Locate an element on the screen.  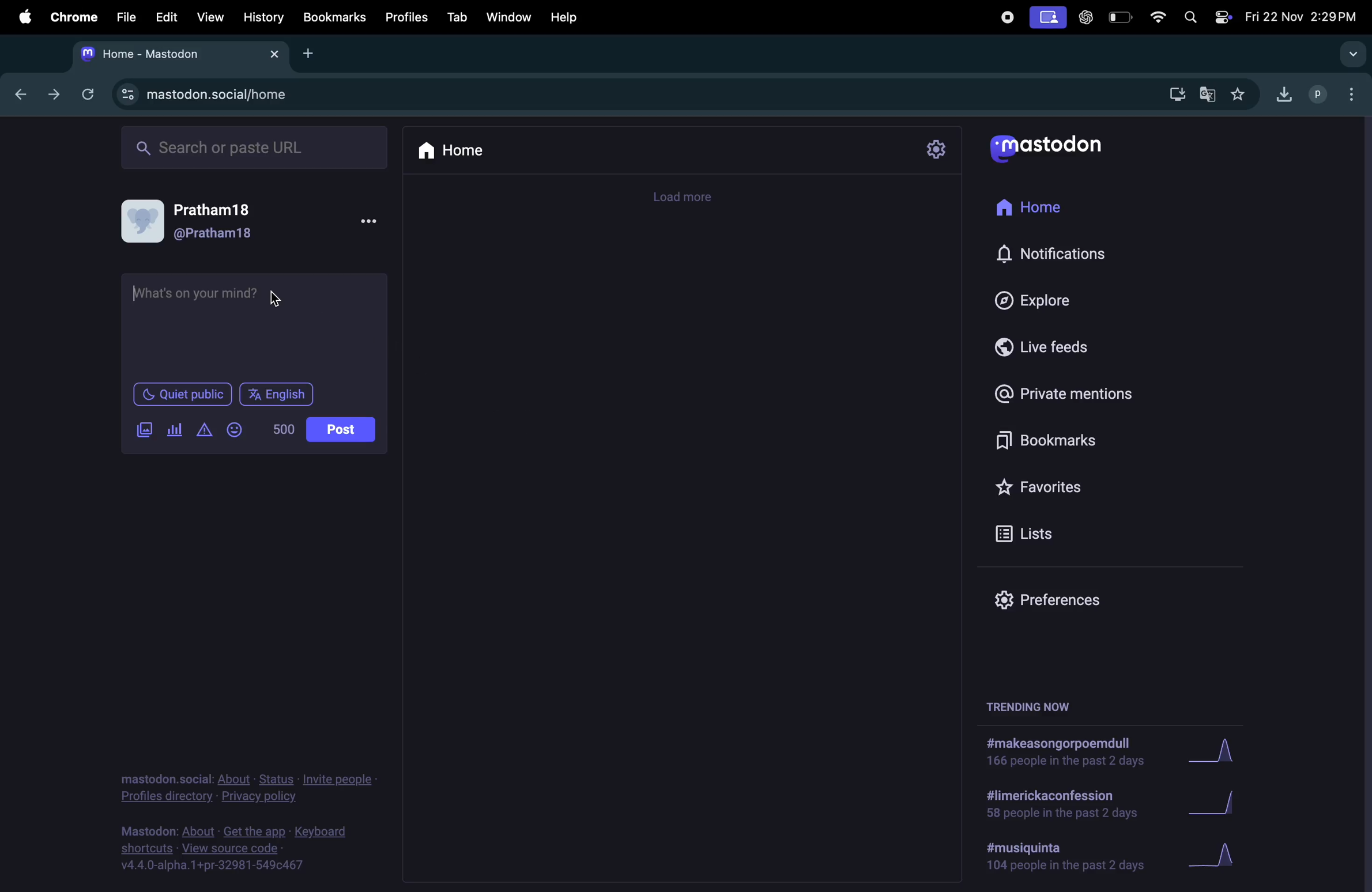
hashtags is located at coordinates (1068, 753).